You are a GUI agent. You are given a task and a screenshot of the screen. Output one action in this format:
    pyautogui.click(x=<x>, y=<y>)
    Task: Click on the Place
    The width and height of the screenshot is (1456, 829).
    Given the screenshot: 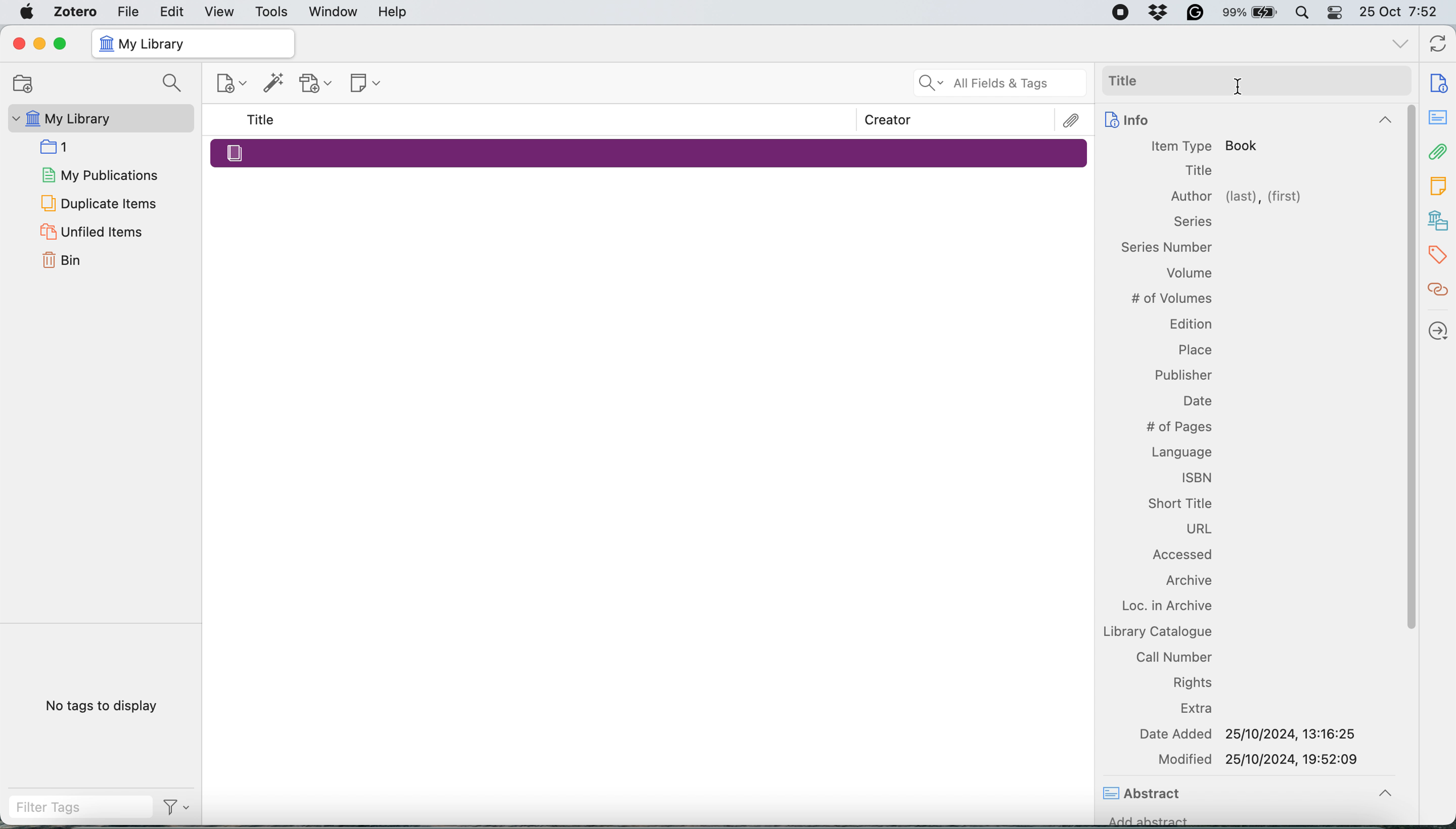 What is the action you would take?
    pyautogui.click(x=1195, y=347)
    